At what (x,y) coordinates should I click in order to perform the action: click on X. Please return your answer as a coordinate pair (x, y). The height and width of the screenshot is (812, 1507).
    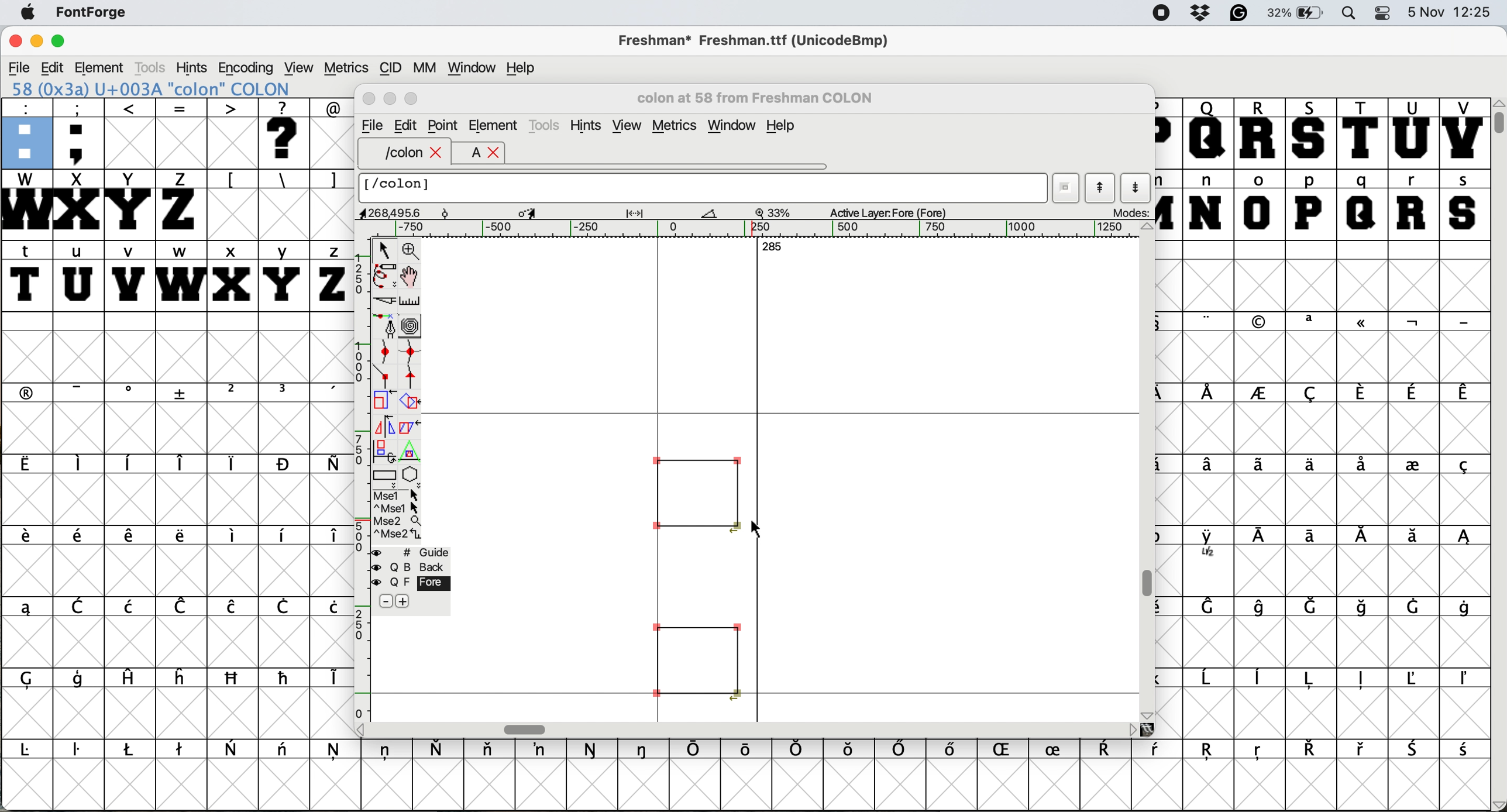
    Looking at the image, I should click on (78, 205).